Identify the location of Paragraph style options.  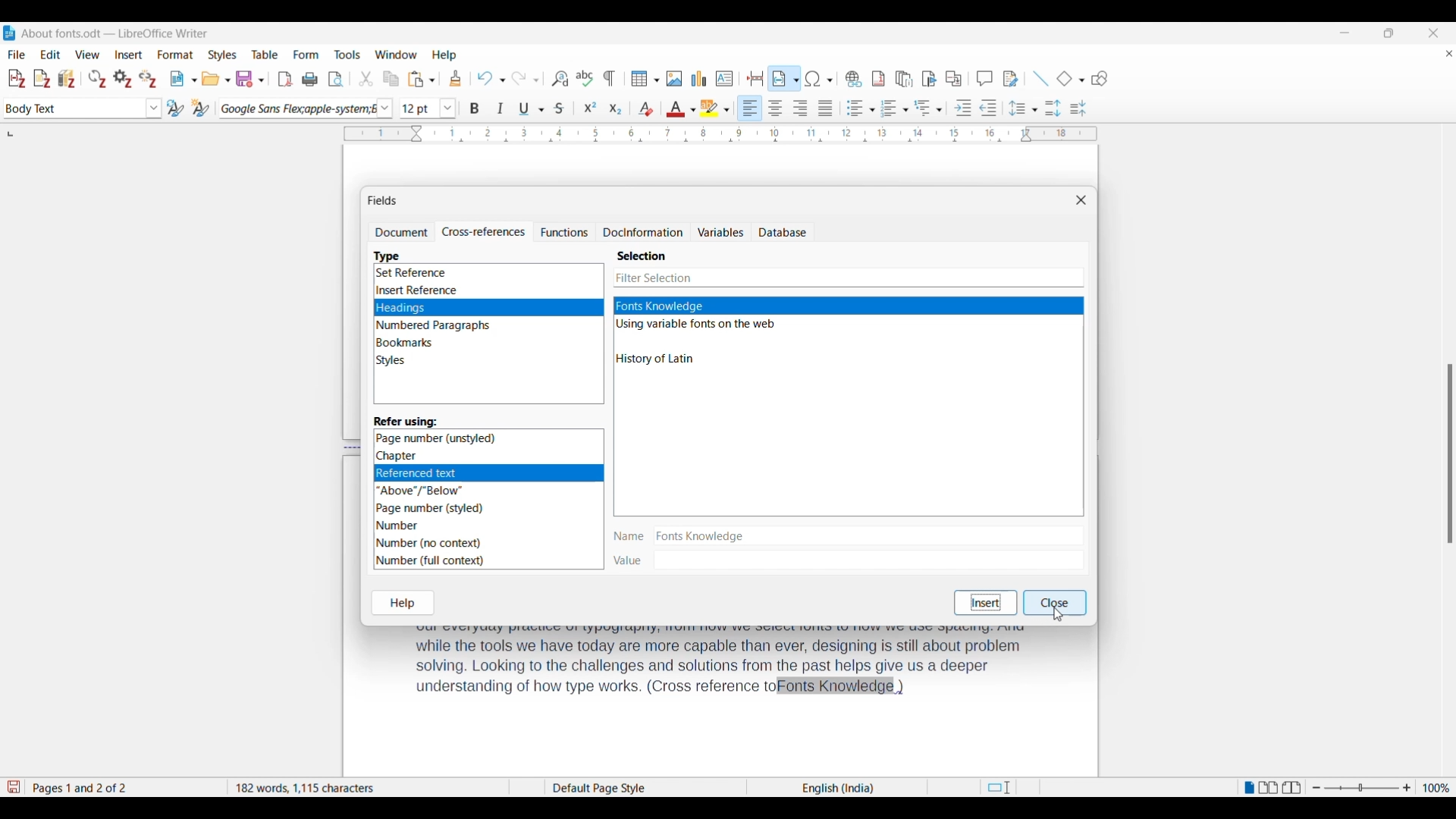
(154, 108).